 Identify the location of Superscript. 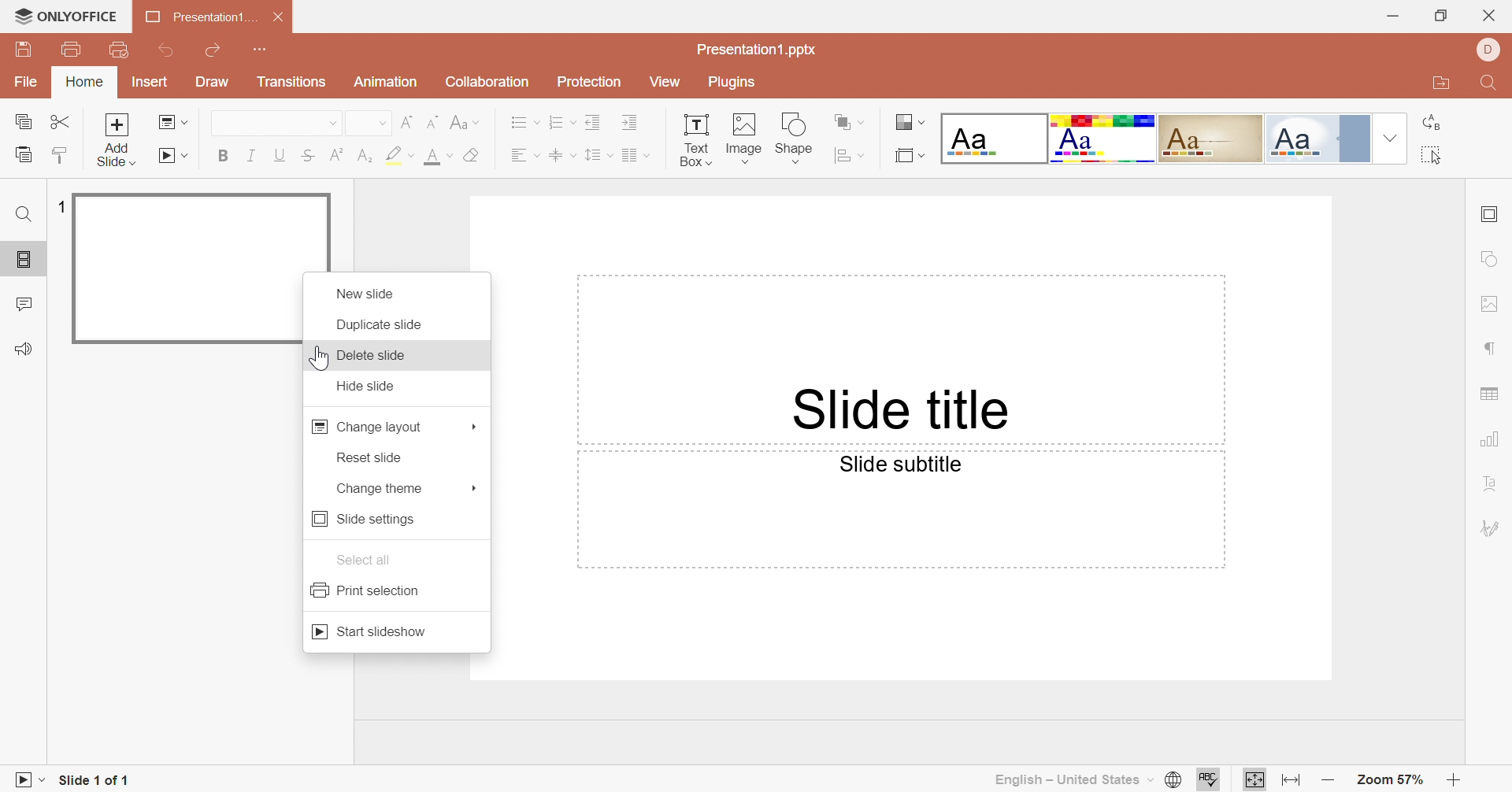
(338, 155).